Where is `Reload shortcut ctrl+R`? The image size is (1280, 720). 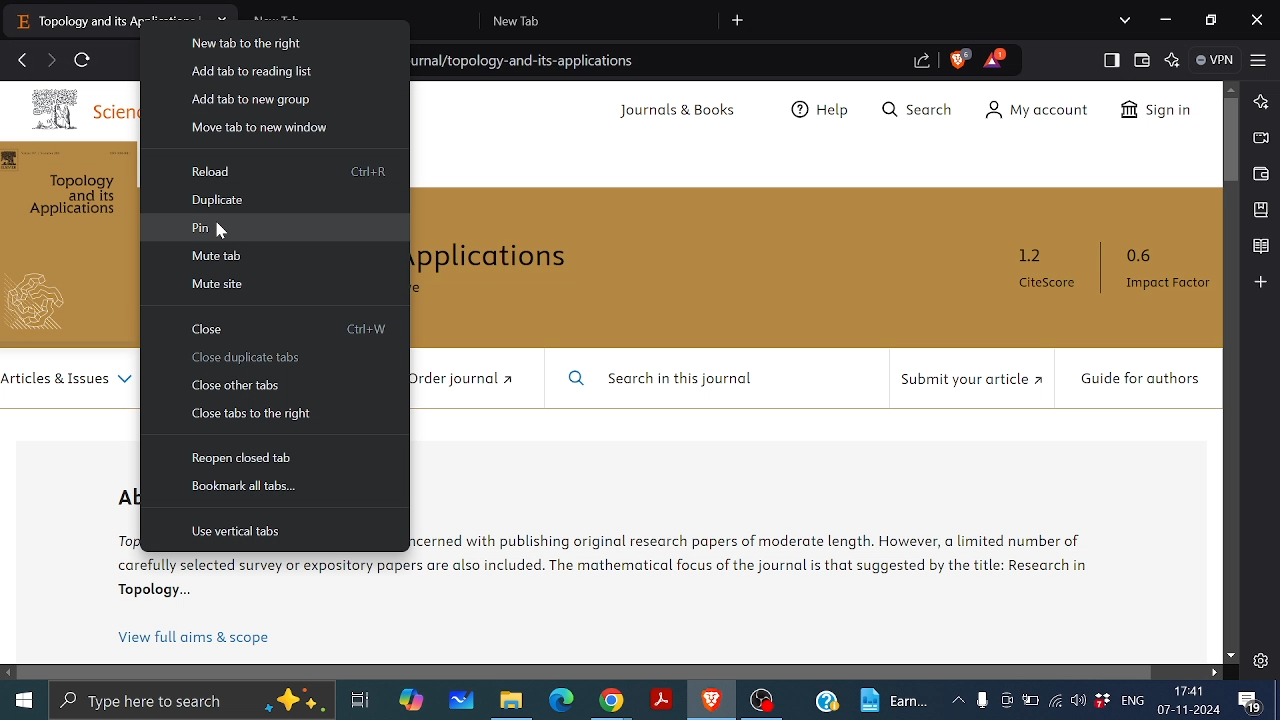
Reload shortcut ctrl+R is located at coordinates (366, 173).